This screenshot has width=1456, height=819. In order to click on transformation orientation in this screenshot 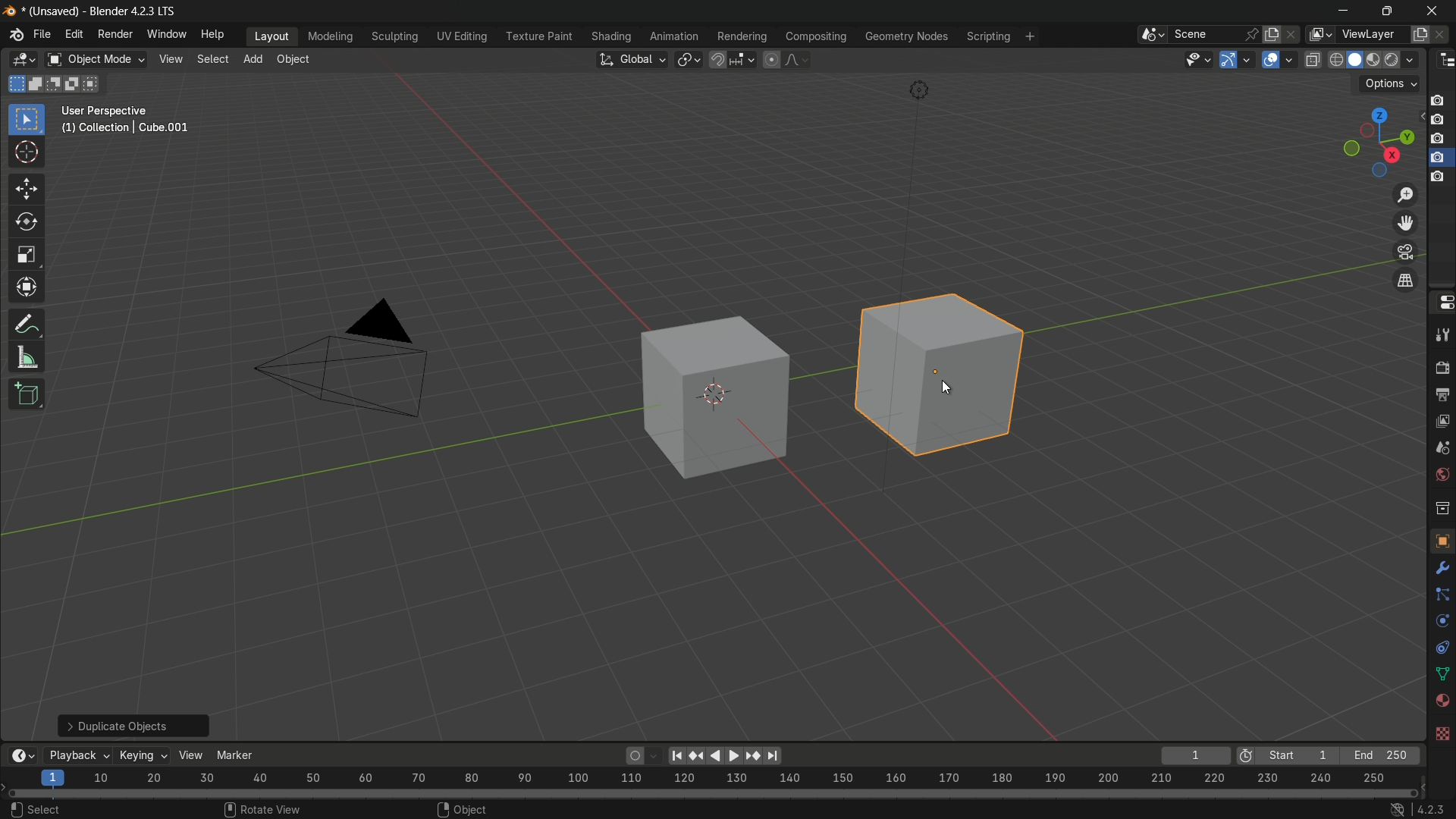, I will do `click(632, 58)`.